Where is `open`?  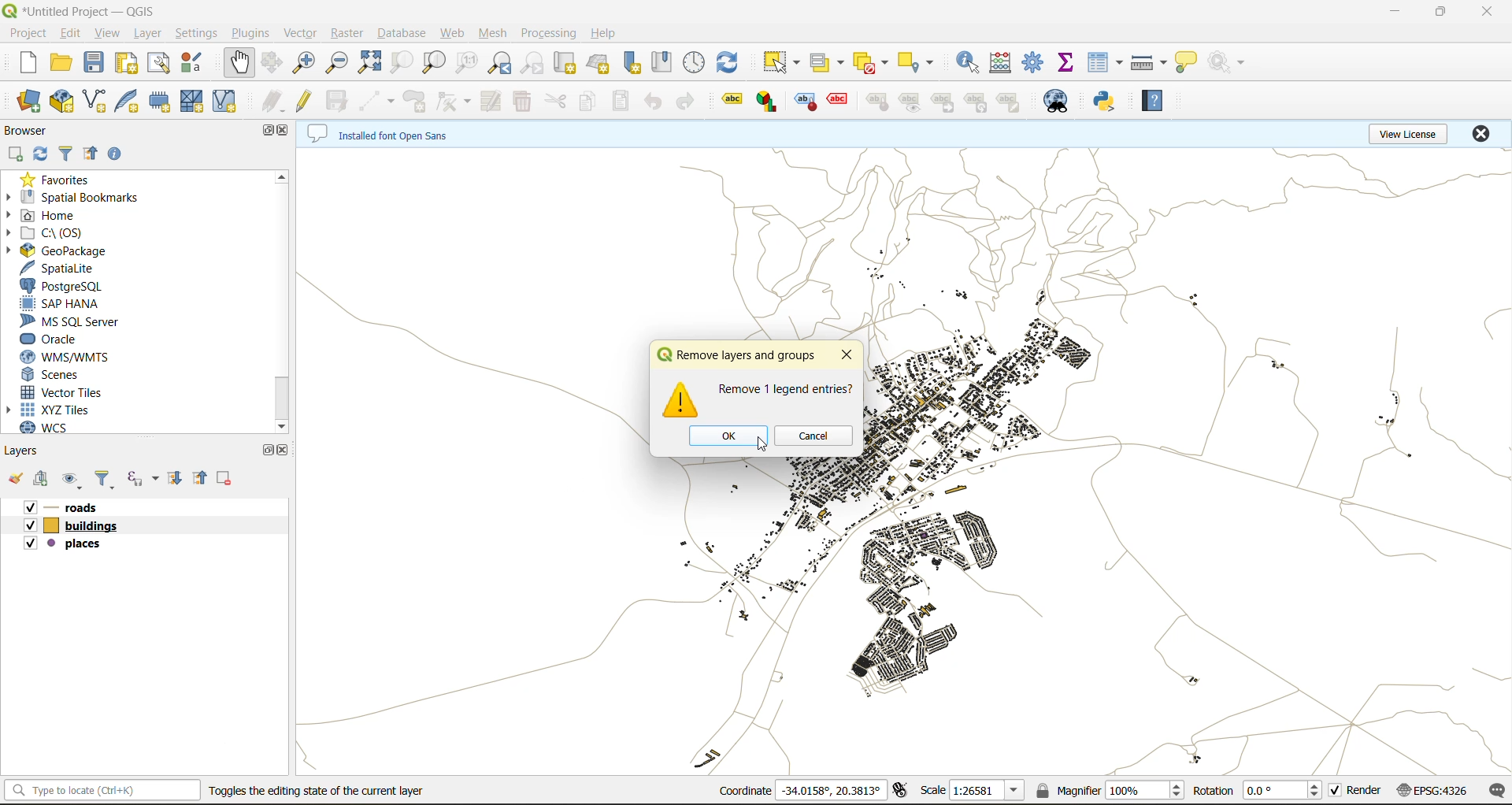
open is located at coordinates (59, 62).